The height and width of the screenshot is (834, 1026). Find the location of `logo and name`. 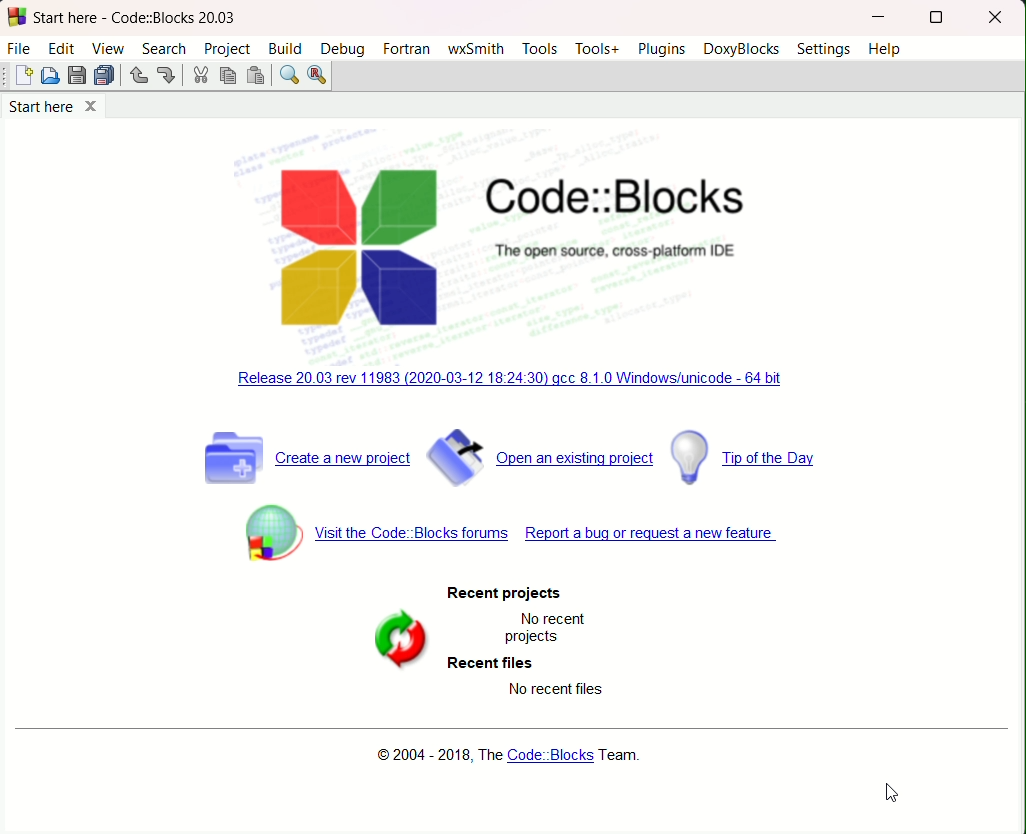

logo and name is located at coordinates (18, 18).